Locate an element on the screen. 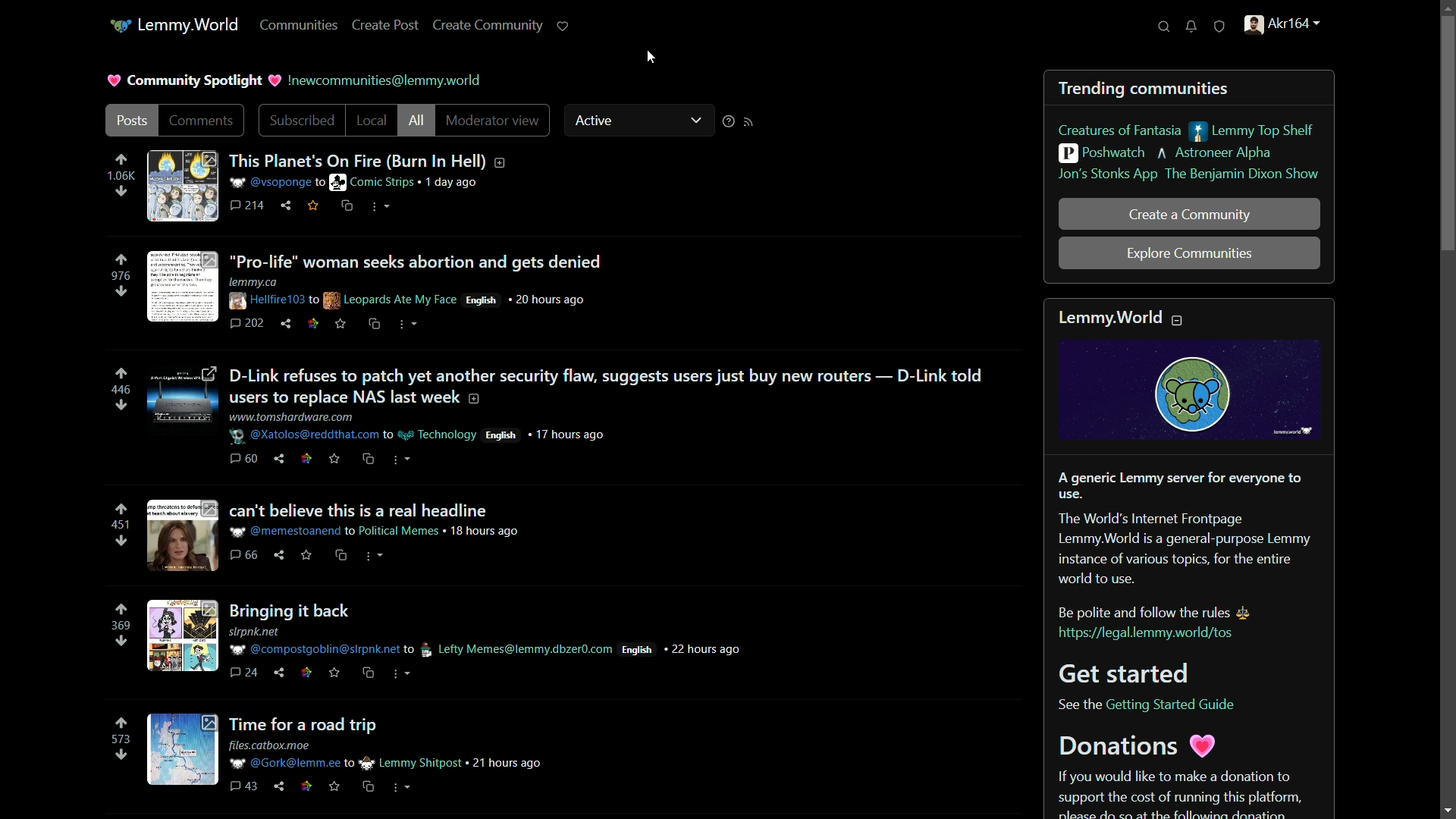  explore communities is located at coordinates (1190, 255).